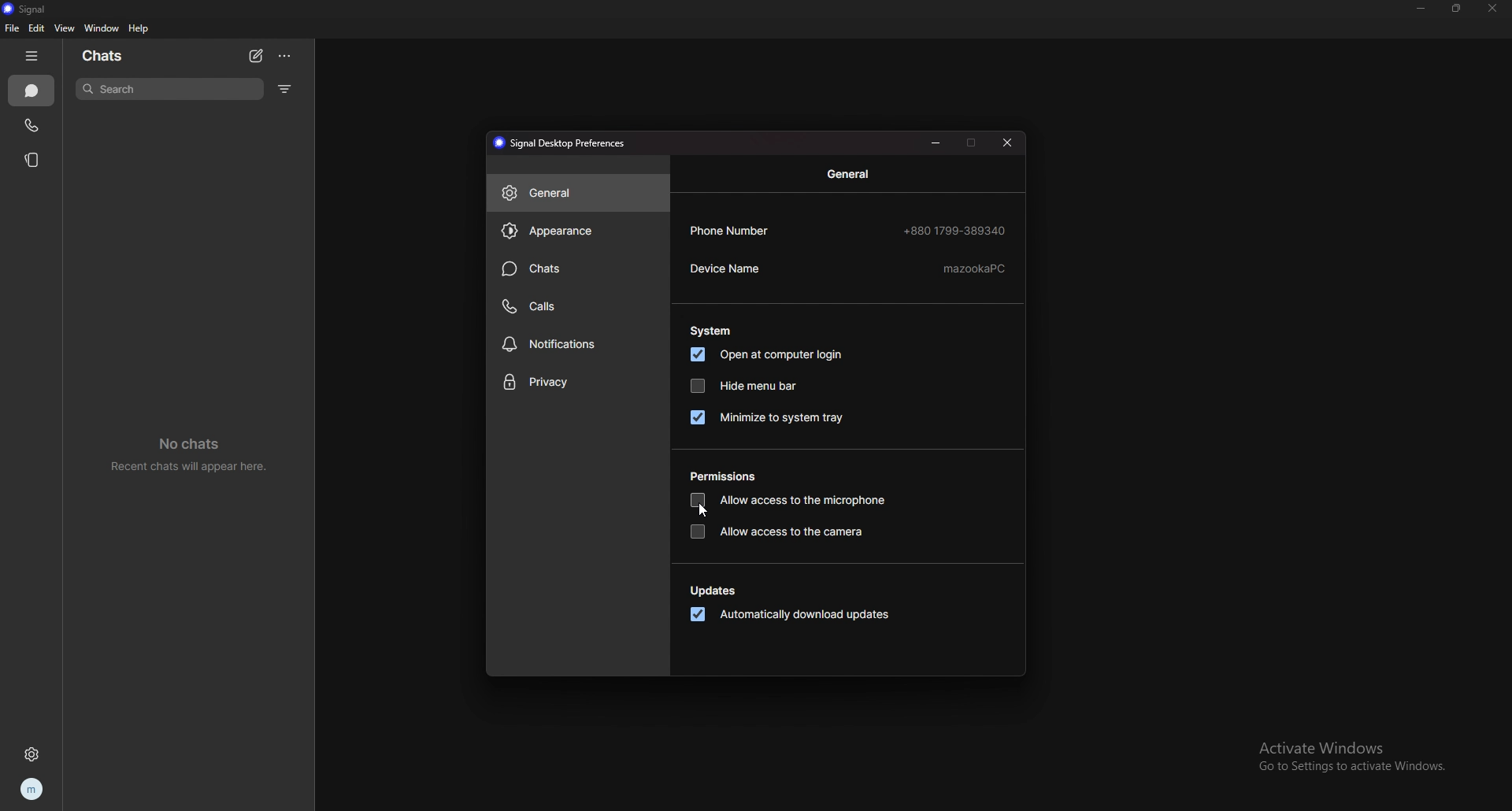 The image size is (1512, 811). I want to click on calls, so click(33, 125).